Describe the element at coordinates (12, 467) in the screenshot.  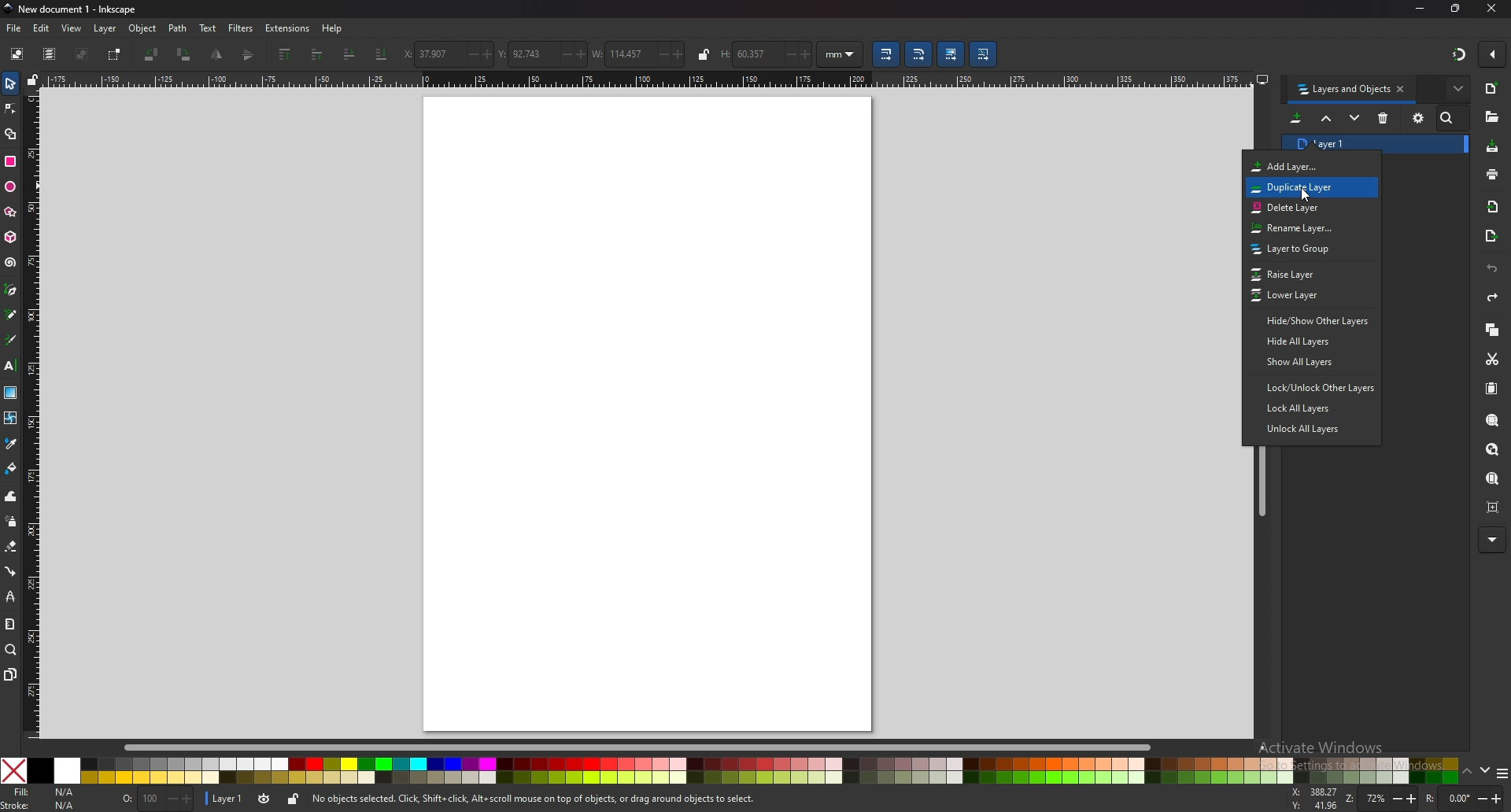
I see `fill bucket` at that location.